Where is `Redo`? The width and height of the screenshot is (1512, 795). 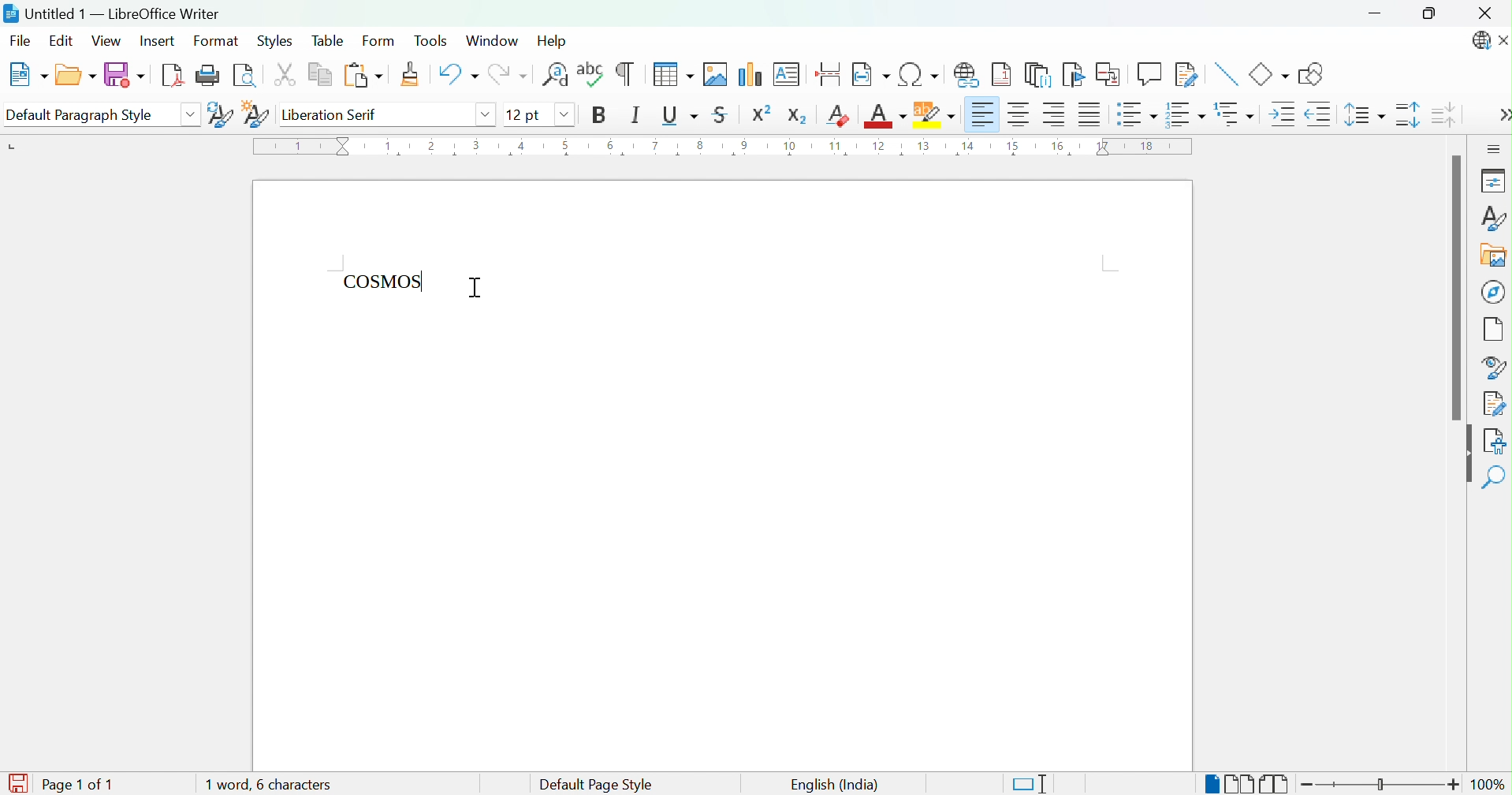 Redo is located at coordinates (507, 76).